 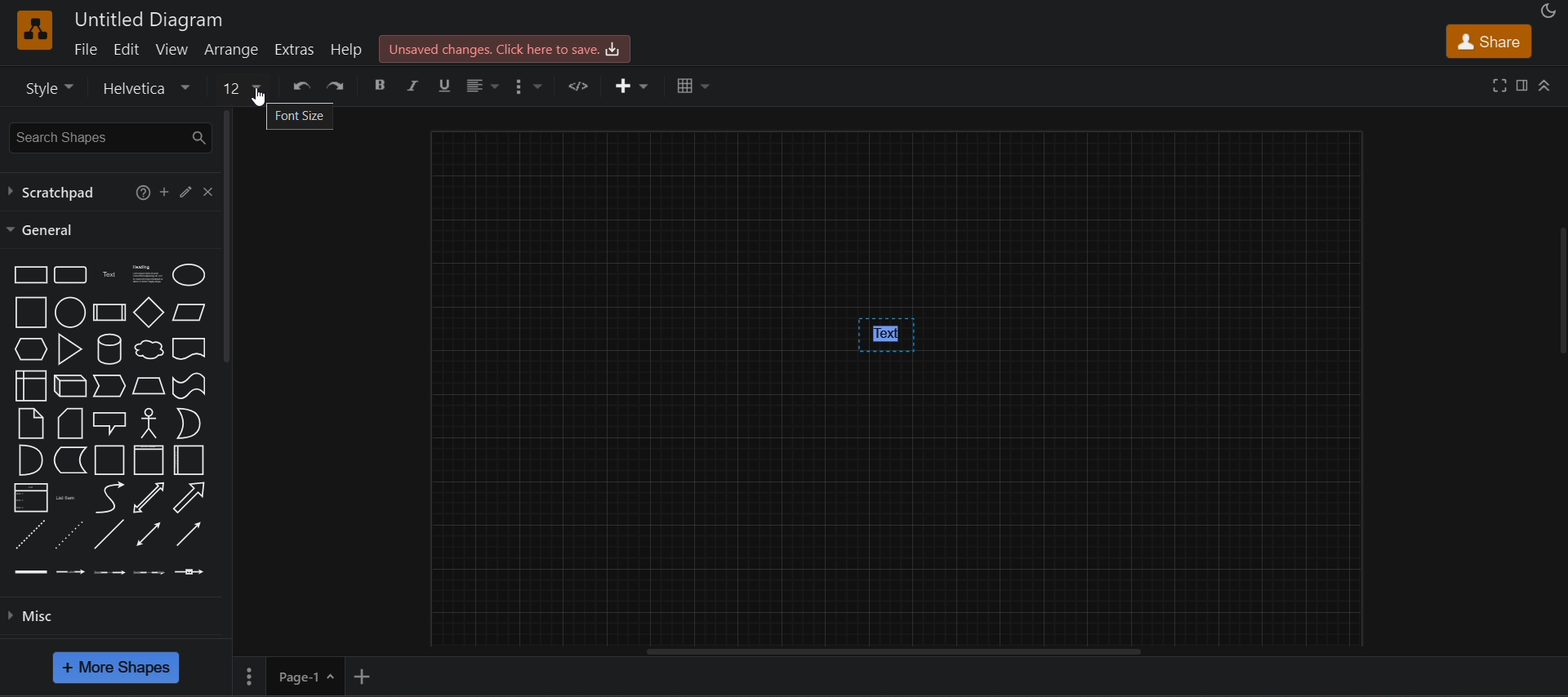 I want to click on Container, so click(x=149, y=460).